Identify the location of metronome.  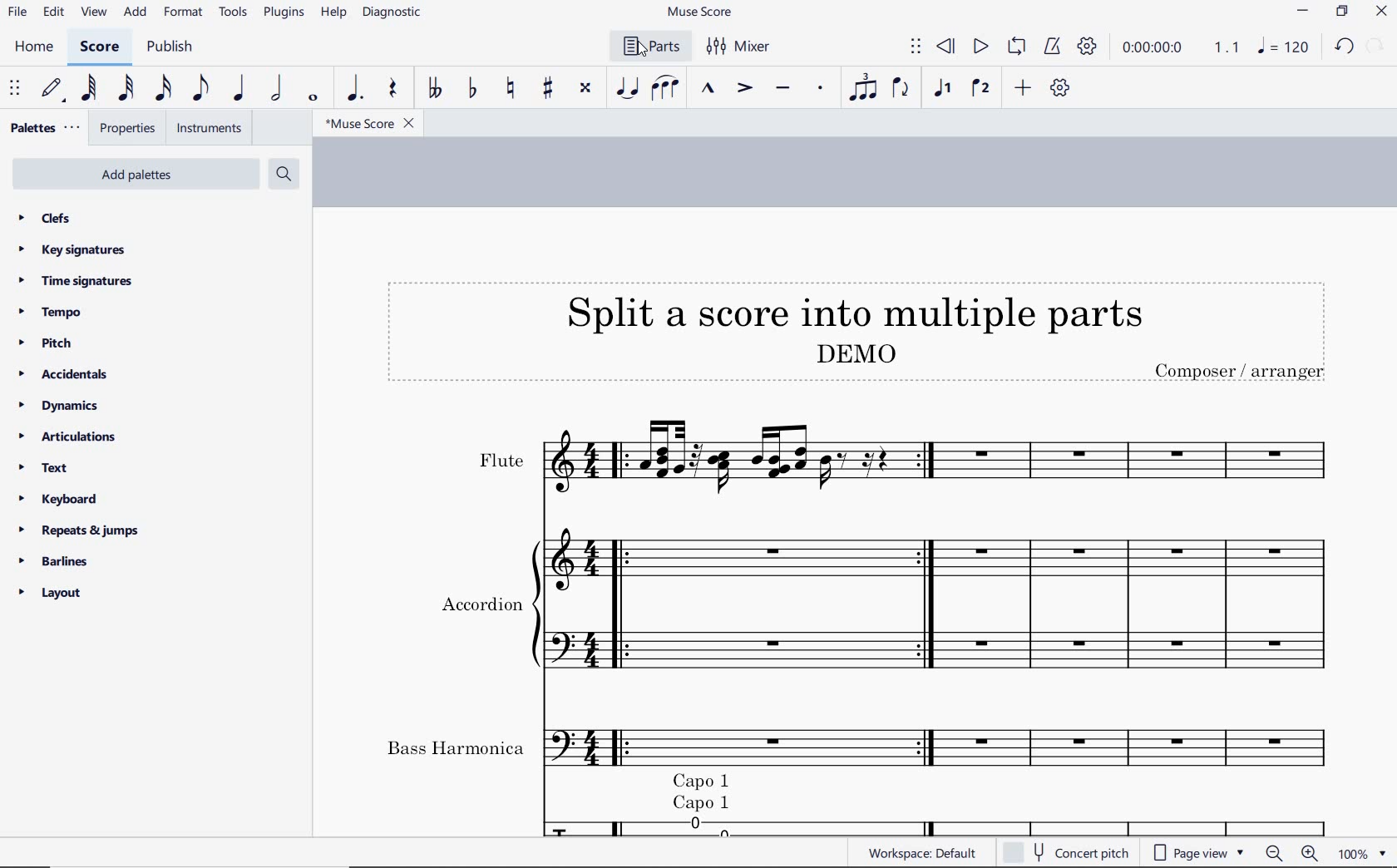
(1052, 47).